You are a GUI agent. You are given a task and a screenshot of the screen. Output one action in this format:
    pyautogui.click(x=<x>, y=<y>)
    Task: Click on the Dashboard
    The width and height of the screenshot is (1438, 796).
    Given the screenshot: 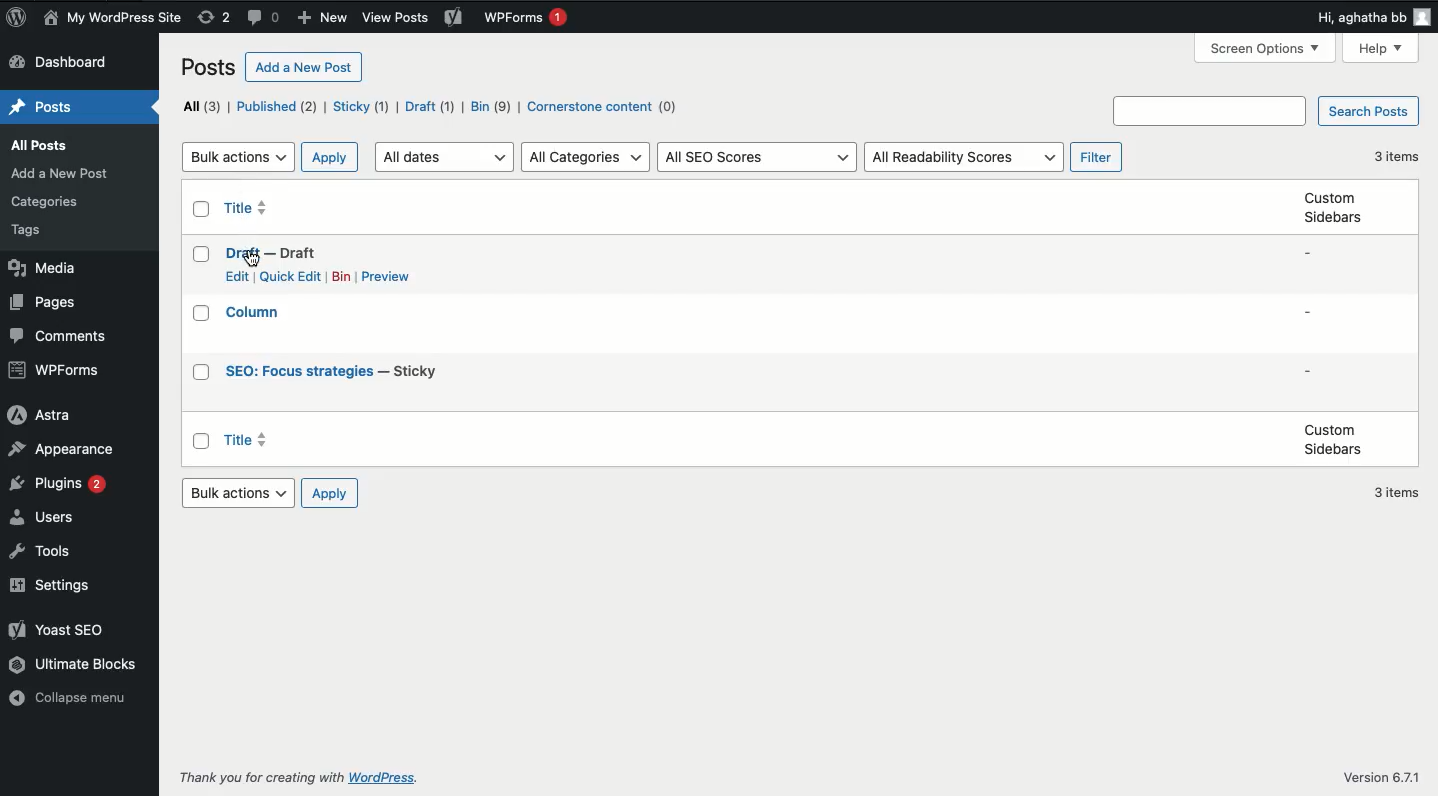 What is the action you would take?
    pyautogui.click(x=64, y=62)
    